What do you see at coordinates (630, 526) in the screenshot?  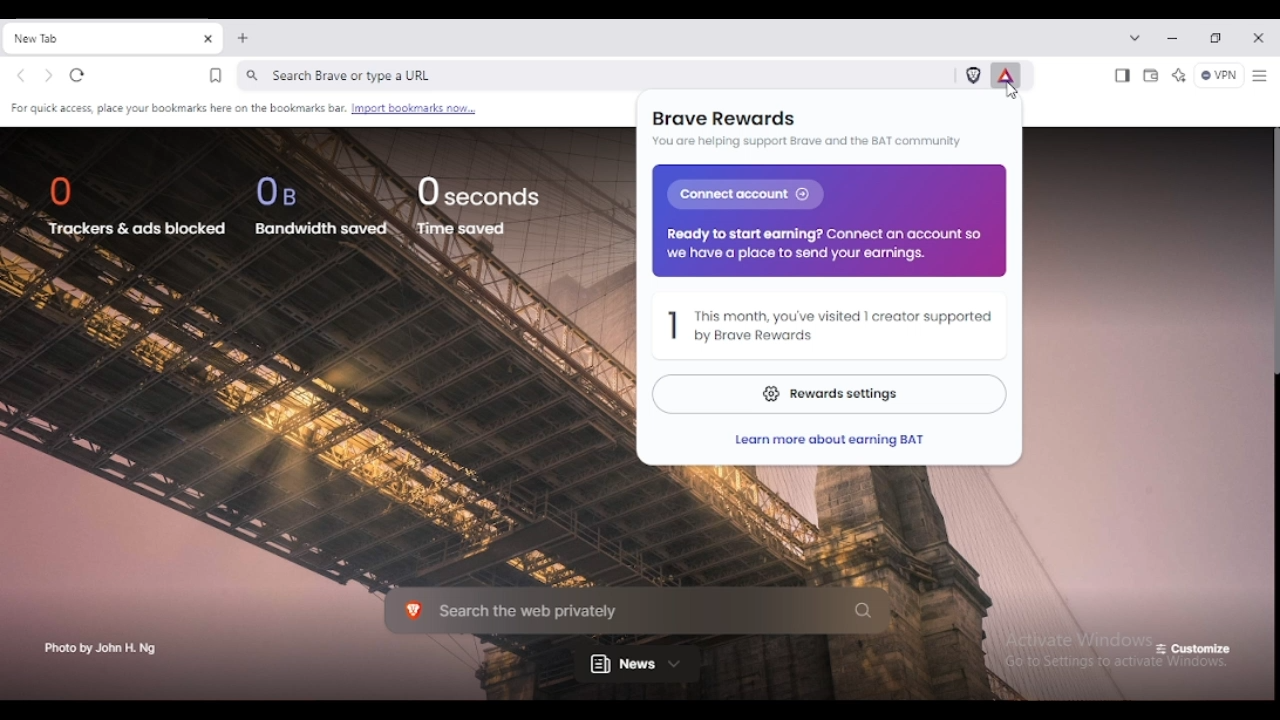 I see `background photo` at bounding box center [630, 526].